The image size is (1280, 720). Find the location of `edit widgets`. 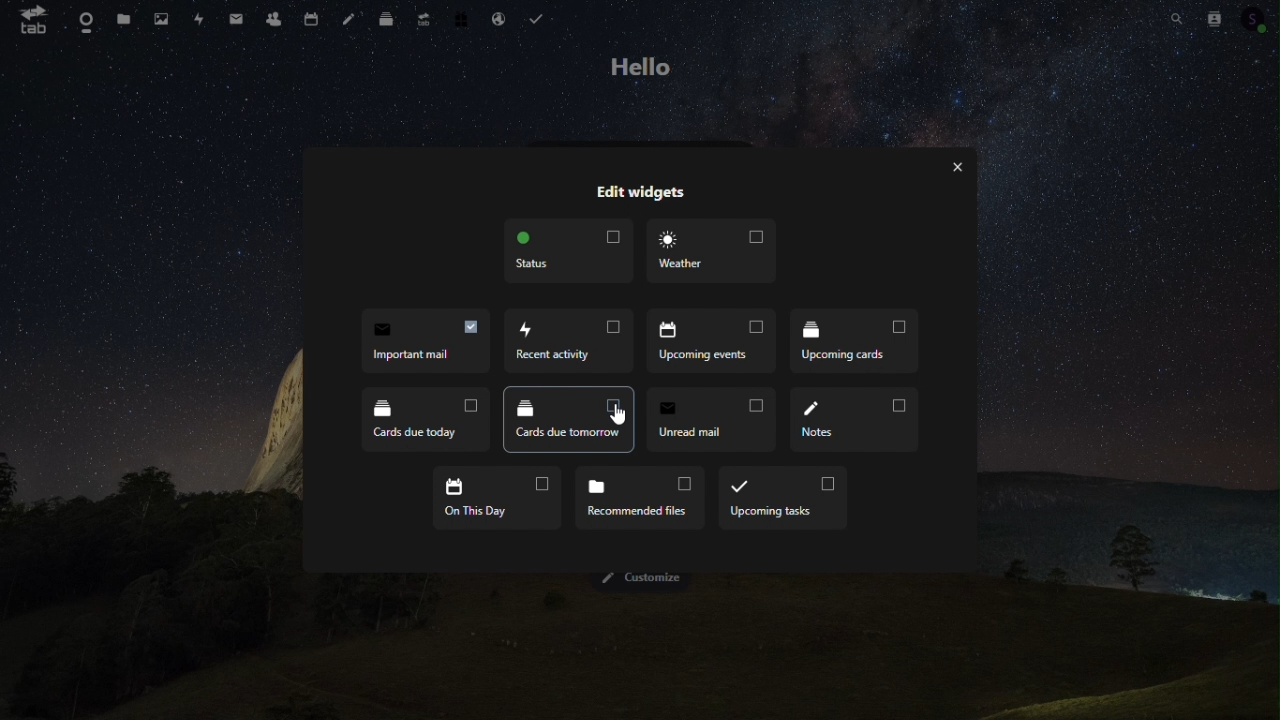

edit widgets is located at coordinates (643, 191).